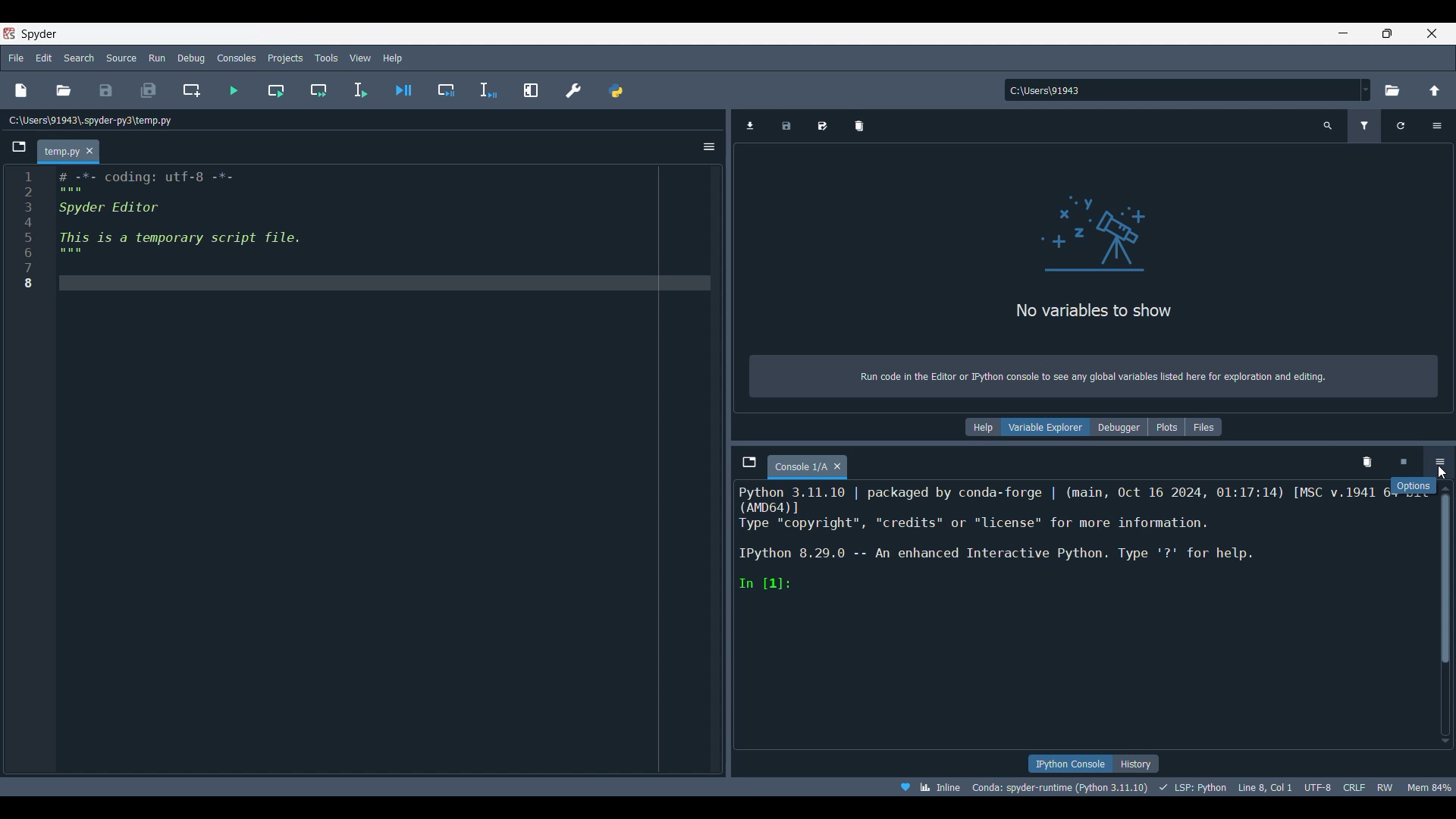 Image resolution: width=1456 pixels, height=819 pixels. I want to click on Description of current selection, so click(1414, 487).